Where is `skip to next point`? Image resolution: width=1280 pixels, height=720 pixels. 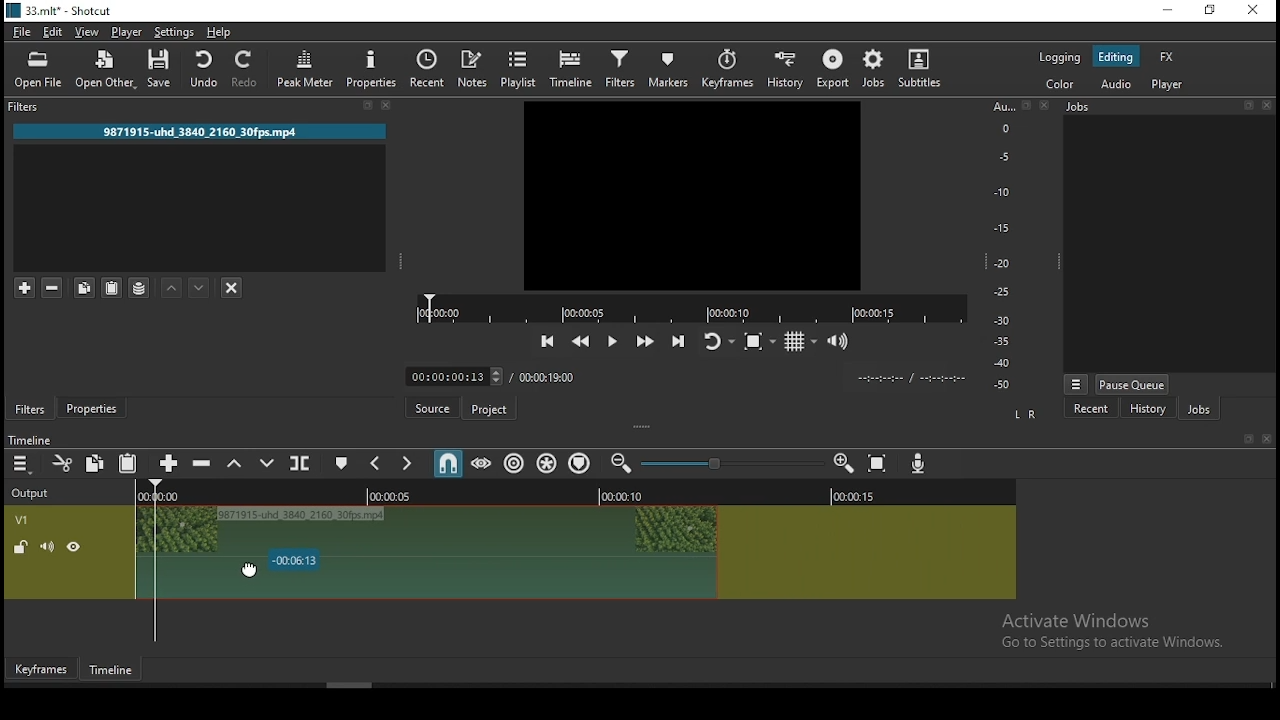
skip to next point is located at coordinates (678, 339).